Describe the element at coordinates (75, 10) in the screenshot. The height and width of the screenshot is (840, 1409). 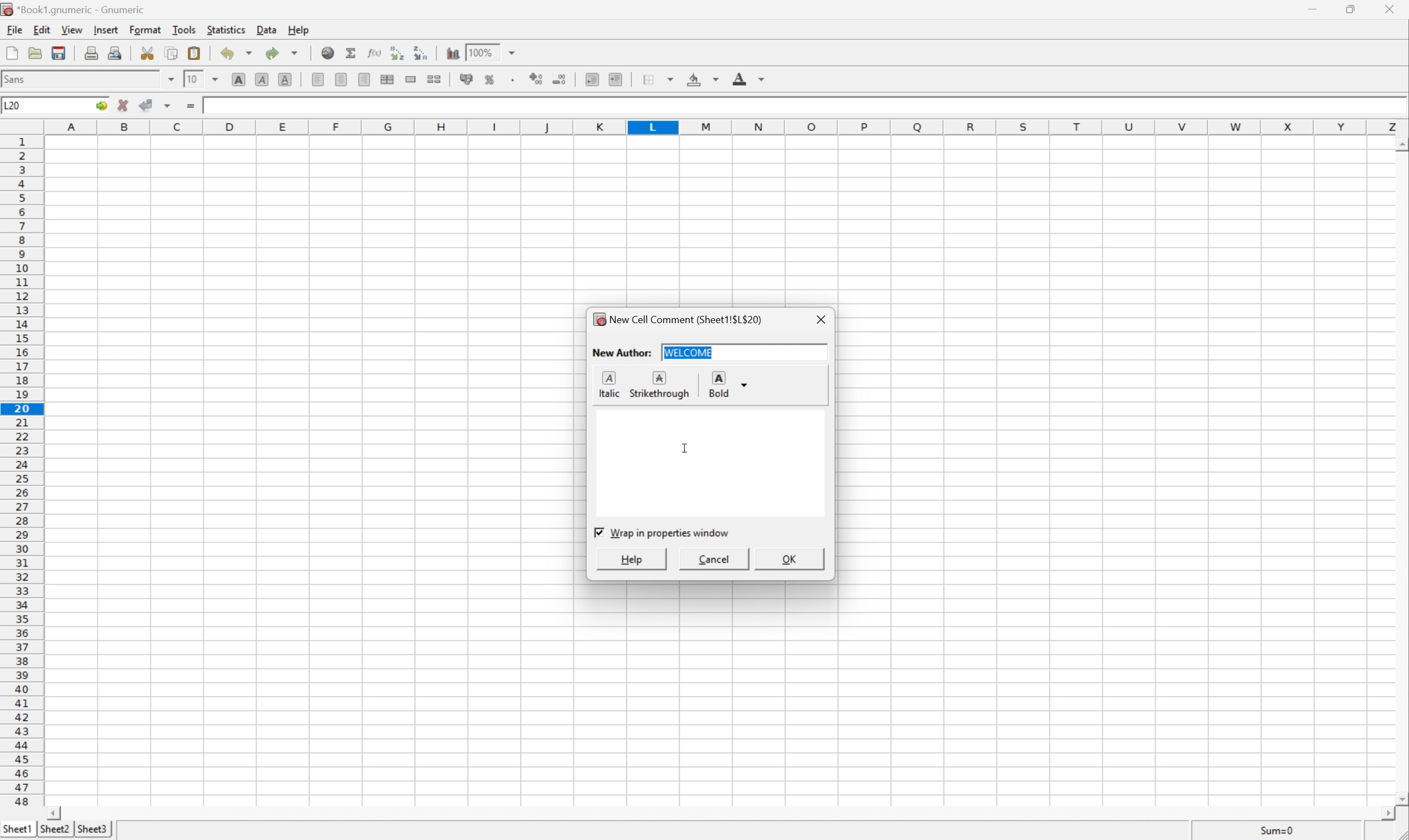
I see `*Book1.gnumeric - Gnumeric` at that location.